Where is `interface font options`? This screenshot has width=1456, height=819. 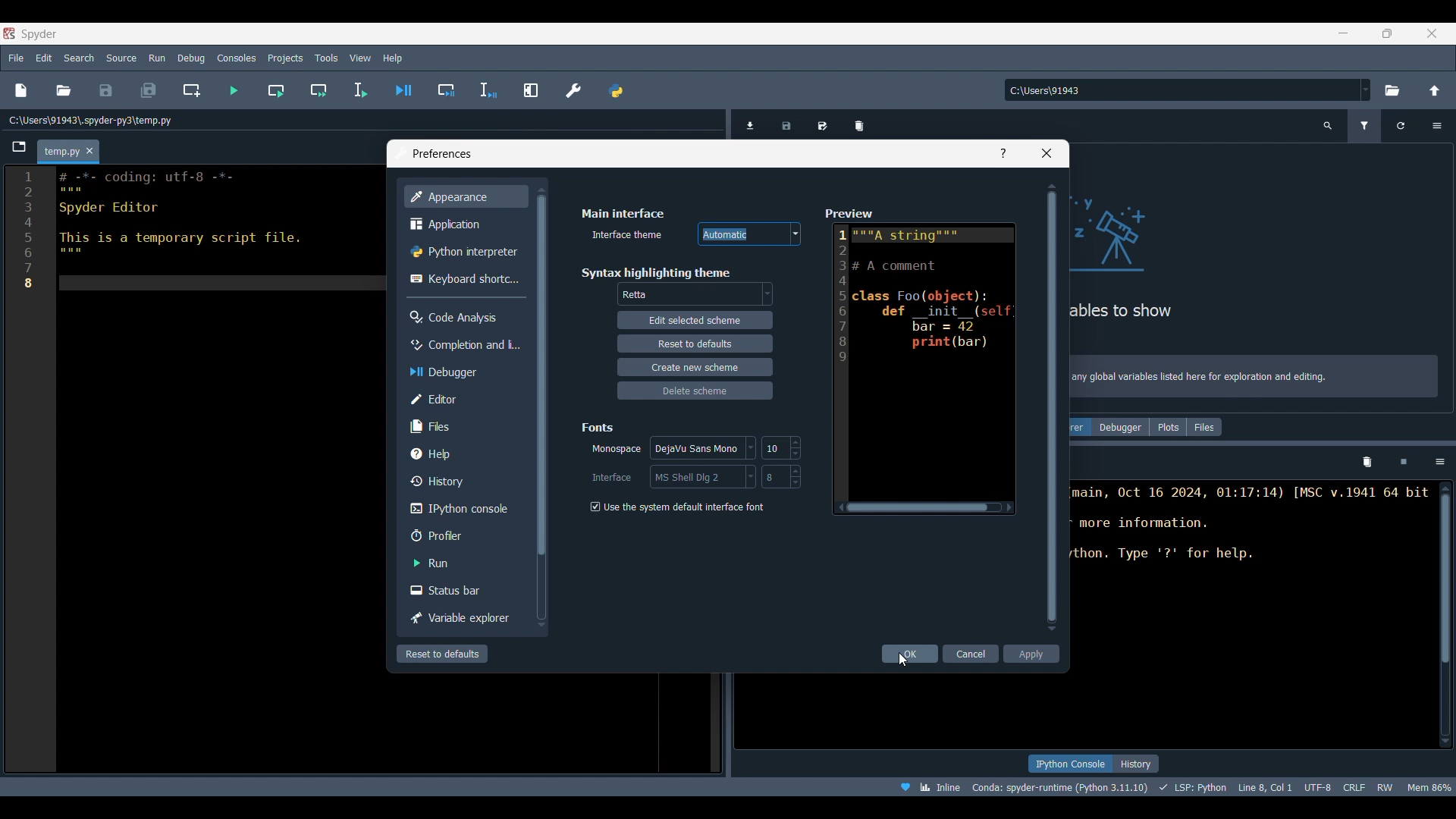
interface font options is located at coordinates (701, 476).